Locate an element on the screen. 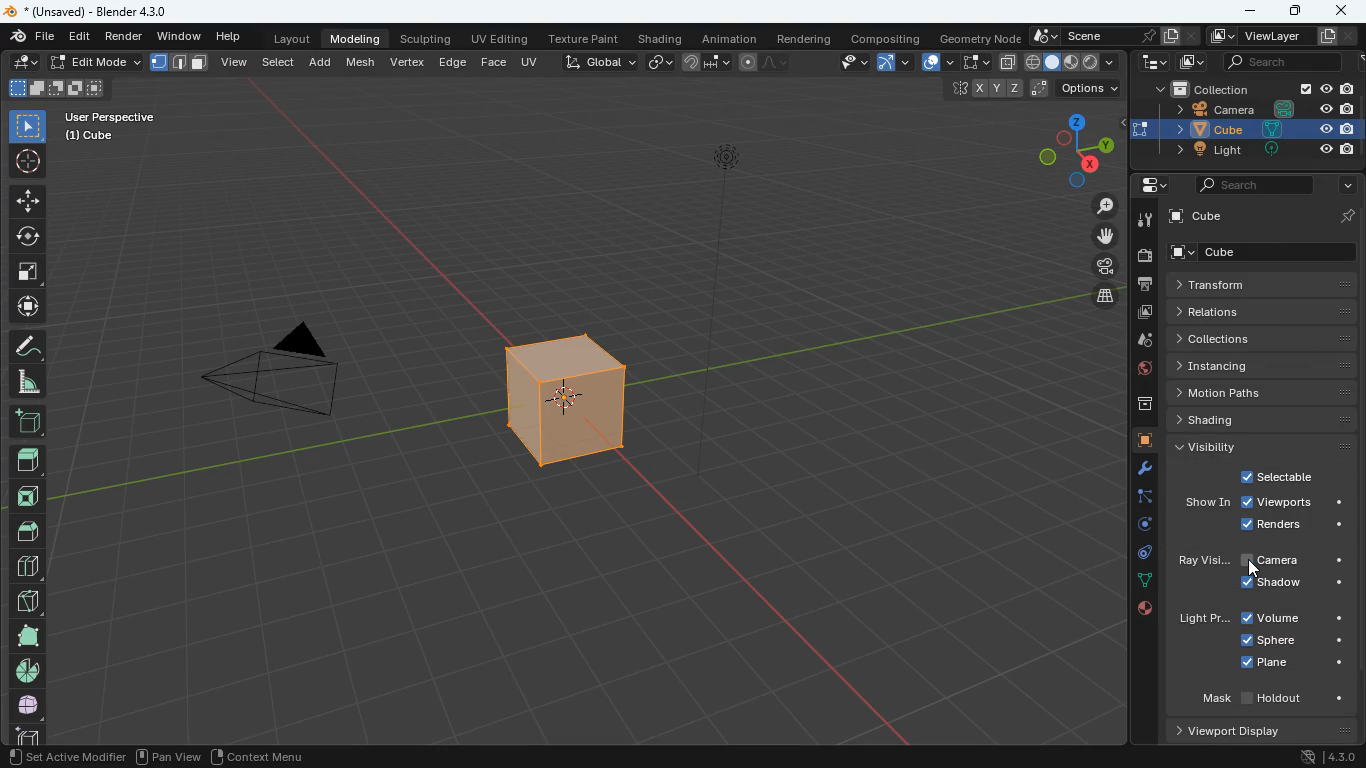 The height and width of the screenshot is (768, 1366). angle is located at coordinates (29, 383).